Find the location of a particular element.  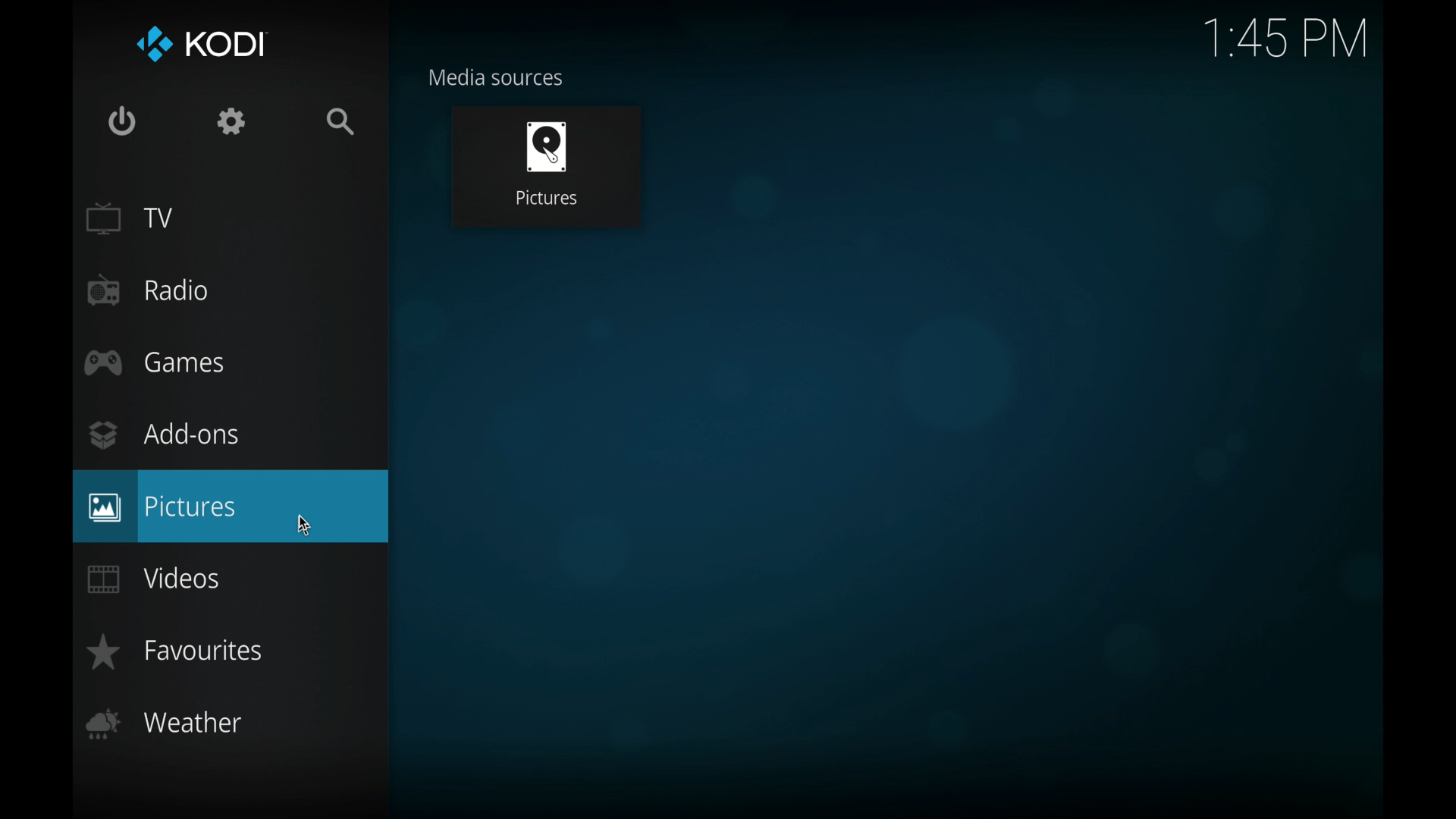

settings is located at coordinates (231, 121).